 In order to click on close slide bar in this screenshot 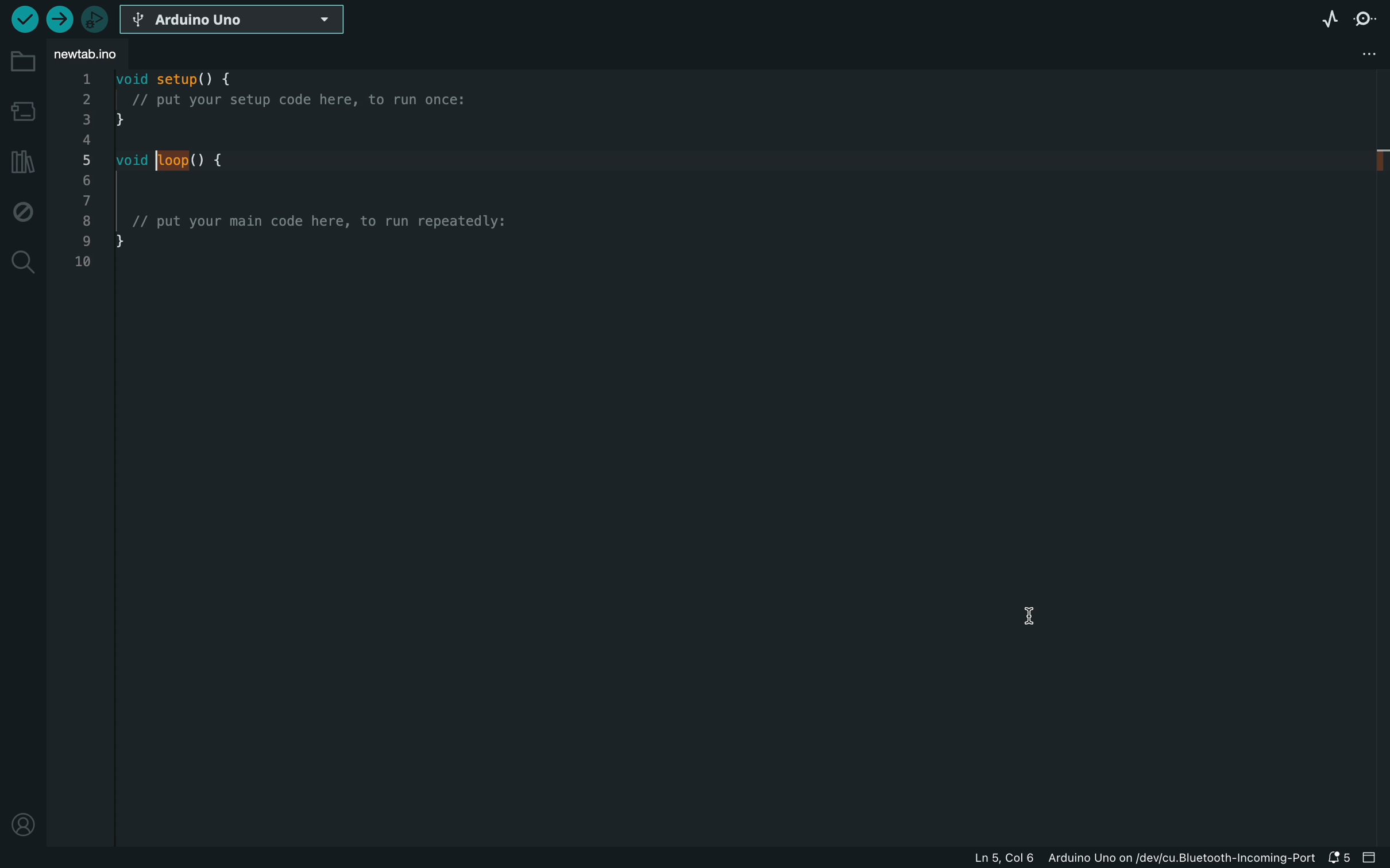, I will do `click(1373, 858)`.